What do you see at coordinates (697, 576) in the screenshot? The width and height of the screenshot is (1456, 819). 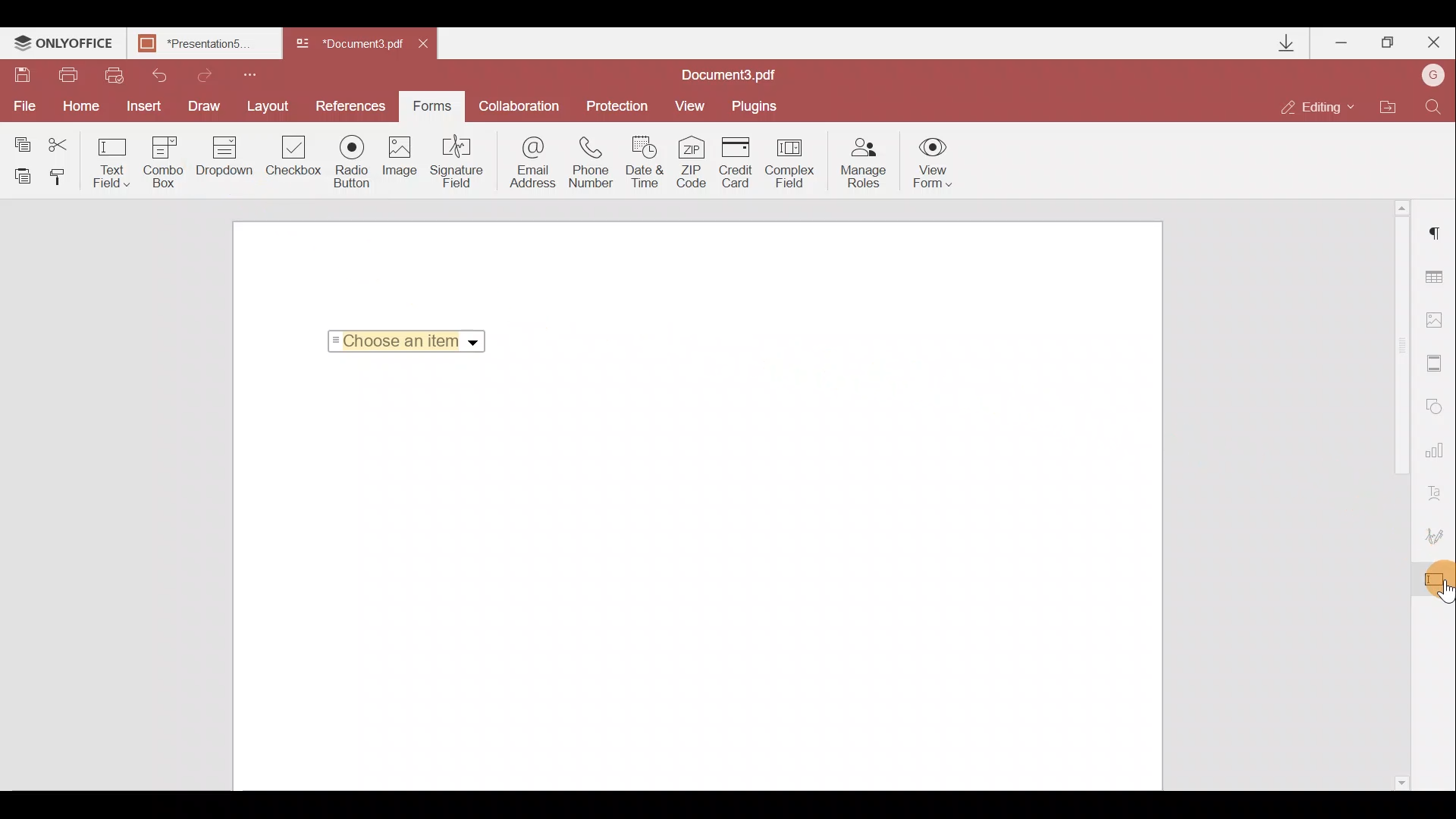 I see `Working area` at bounding box center [697, 576].